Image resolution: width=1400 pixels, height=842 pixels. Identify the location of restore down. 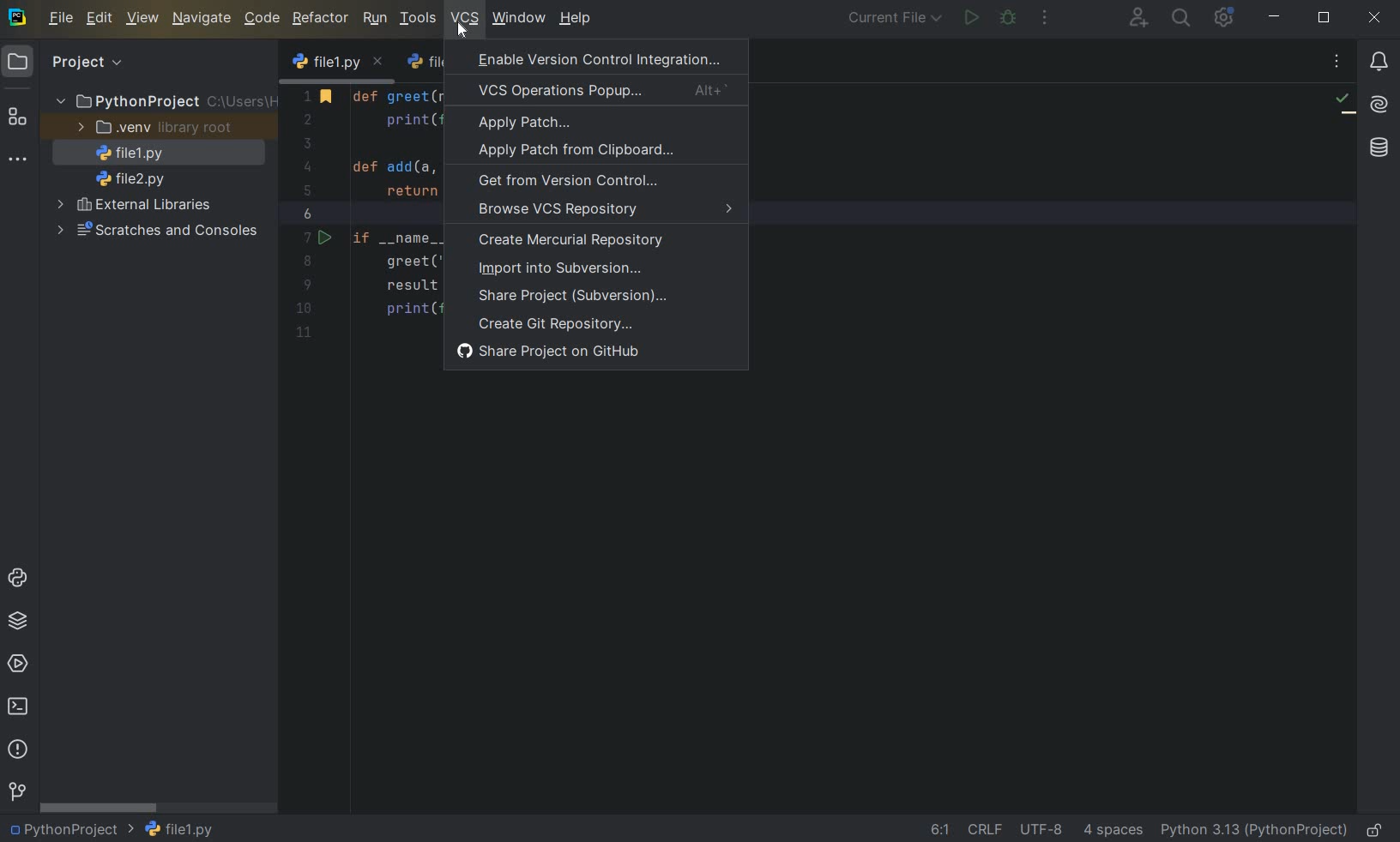
(1325, 18).